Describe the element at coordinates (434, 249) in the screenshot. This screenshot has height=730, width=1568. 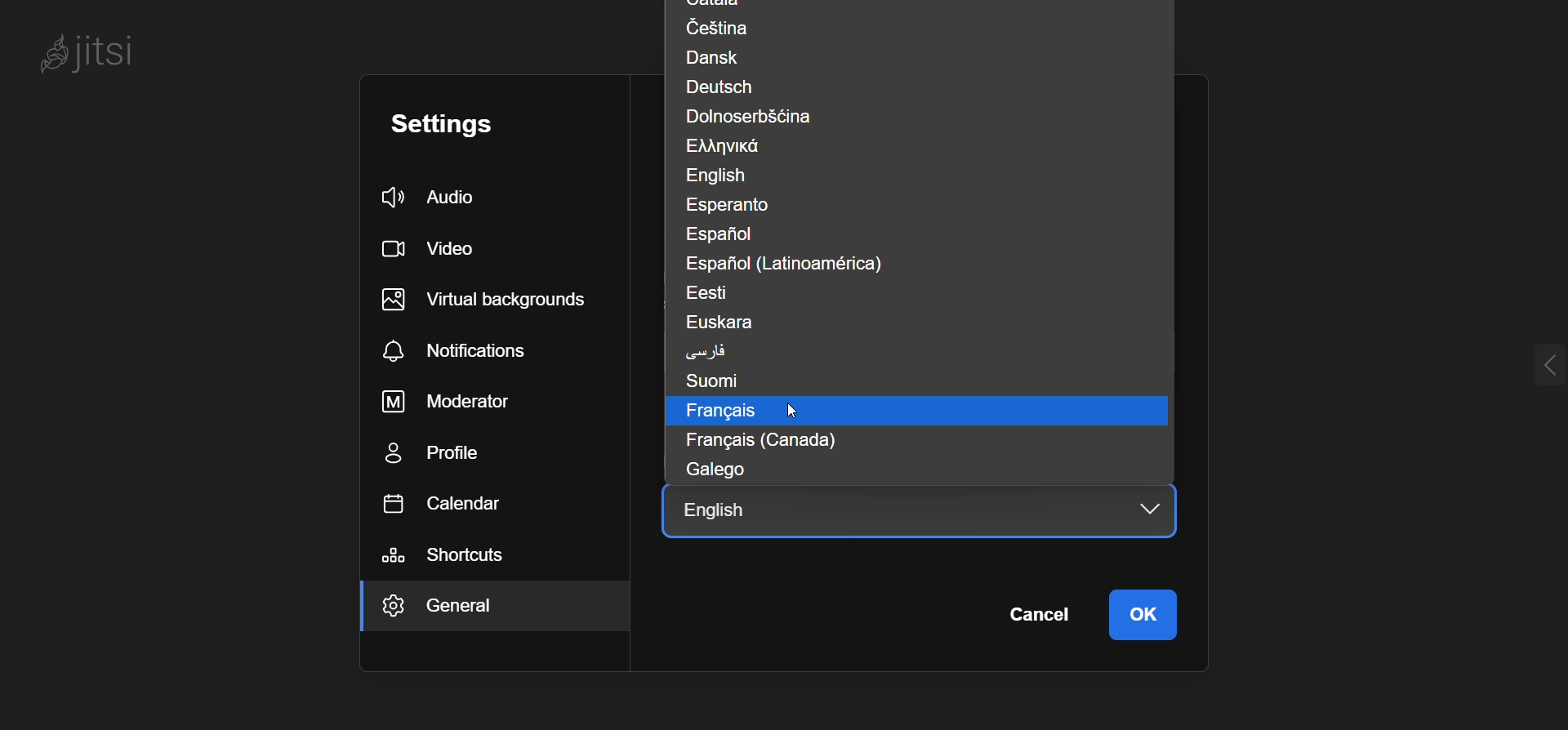
I see `video` at that location.